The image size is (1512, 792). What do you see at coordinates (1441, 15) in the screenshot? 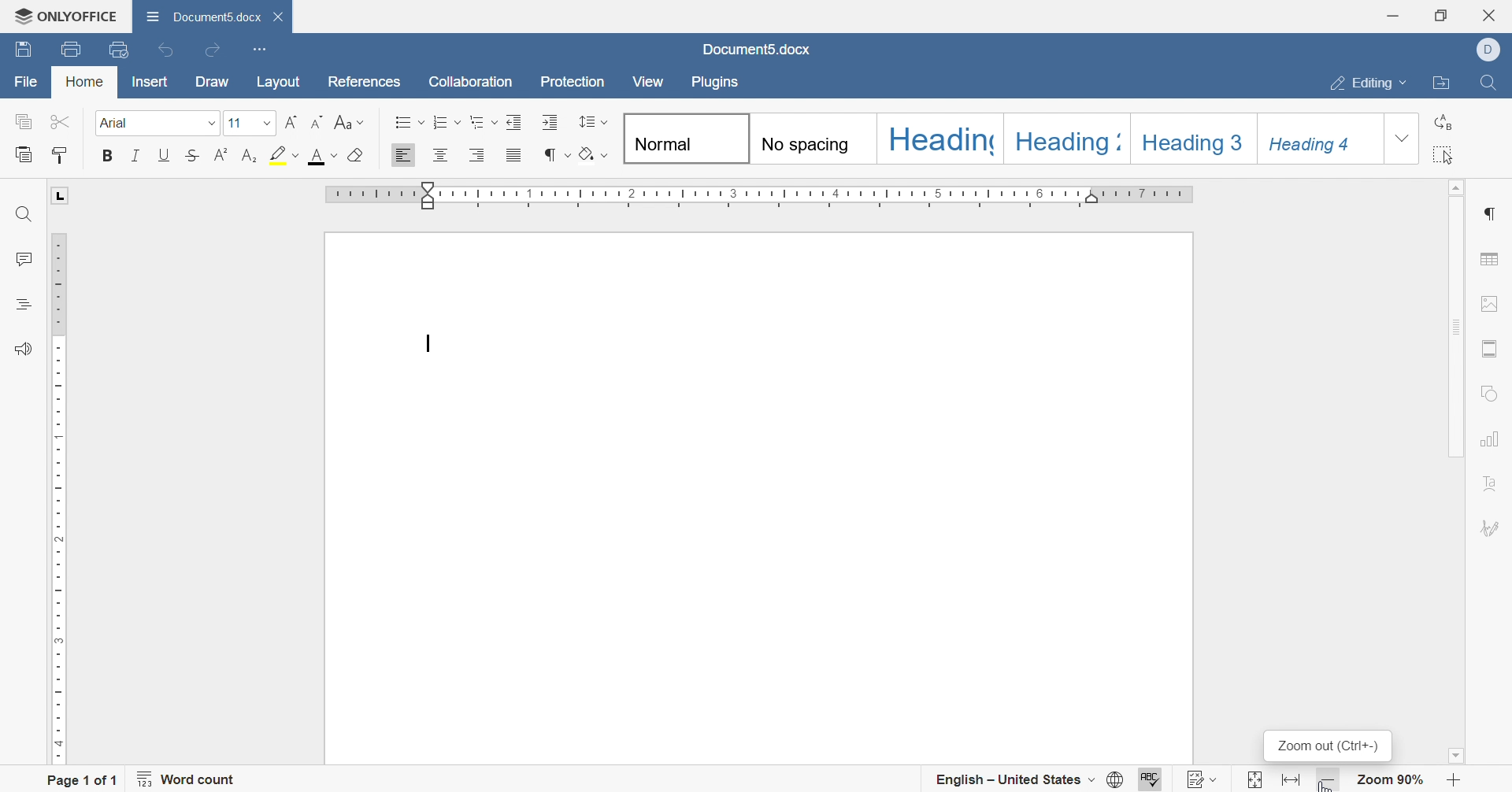
I see `restore down` at bounding box center [1441, 15].